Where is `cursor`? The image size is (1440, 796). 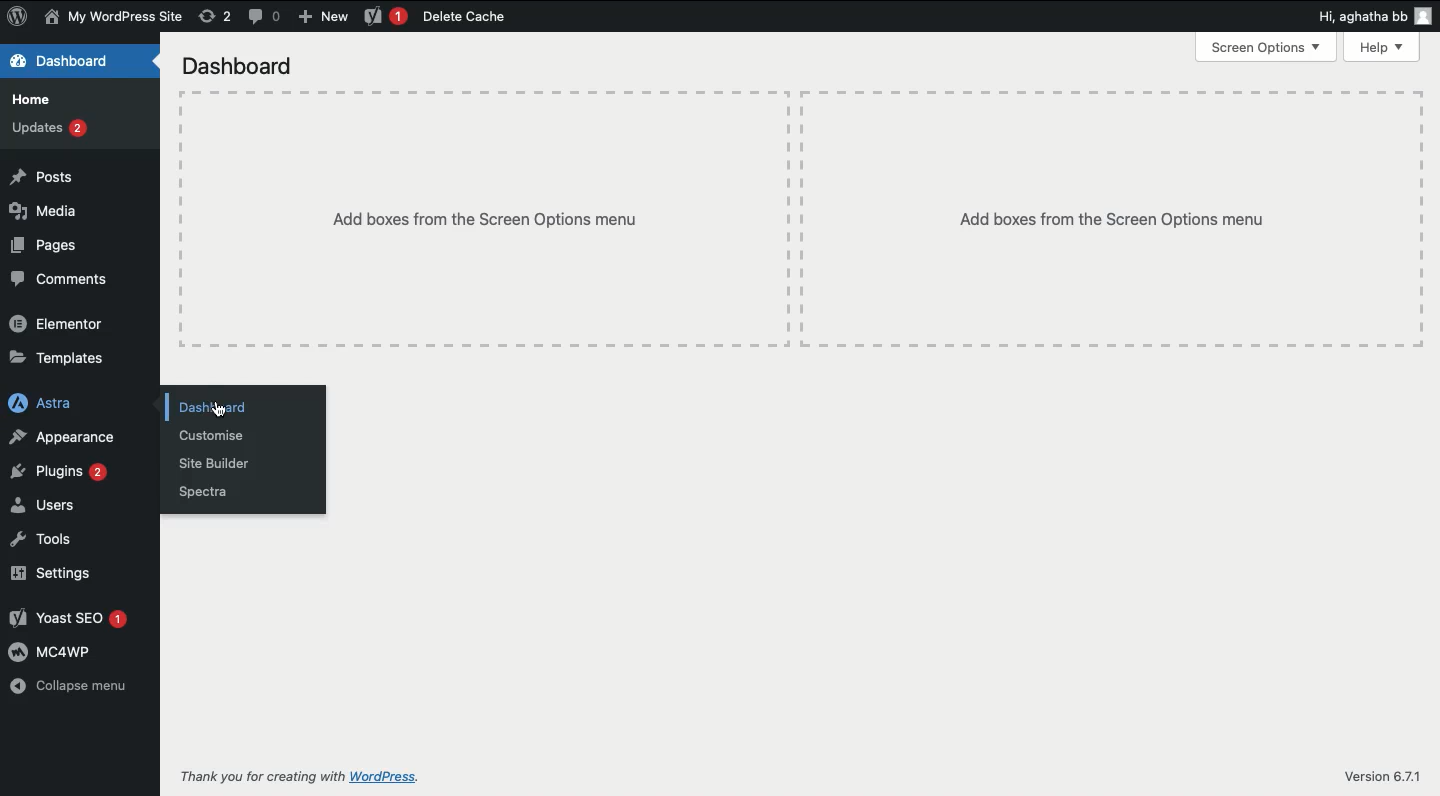 cursor is located at coordinates (216, 409).